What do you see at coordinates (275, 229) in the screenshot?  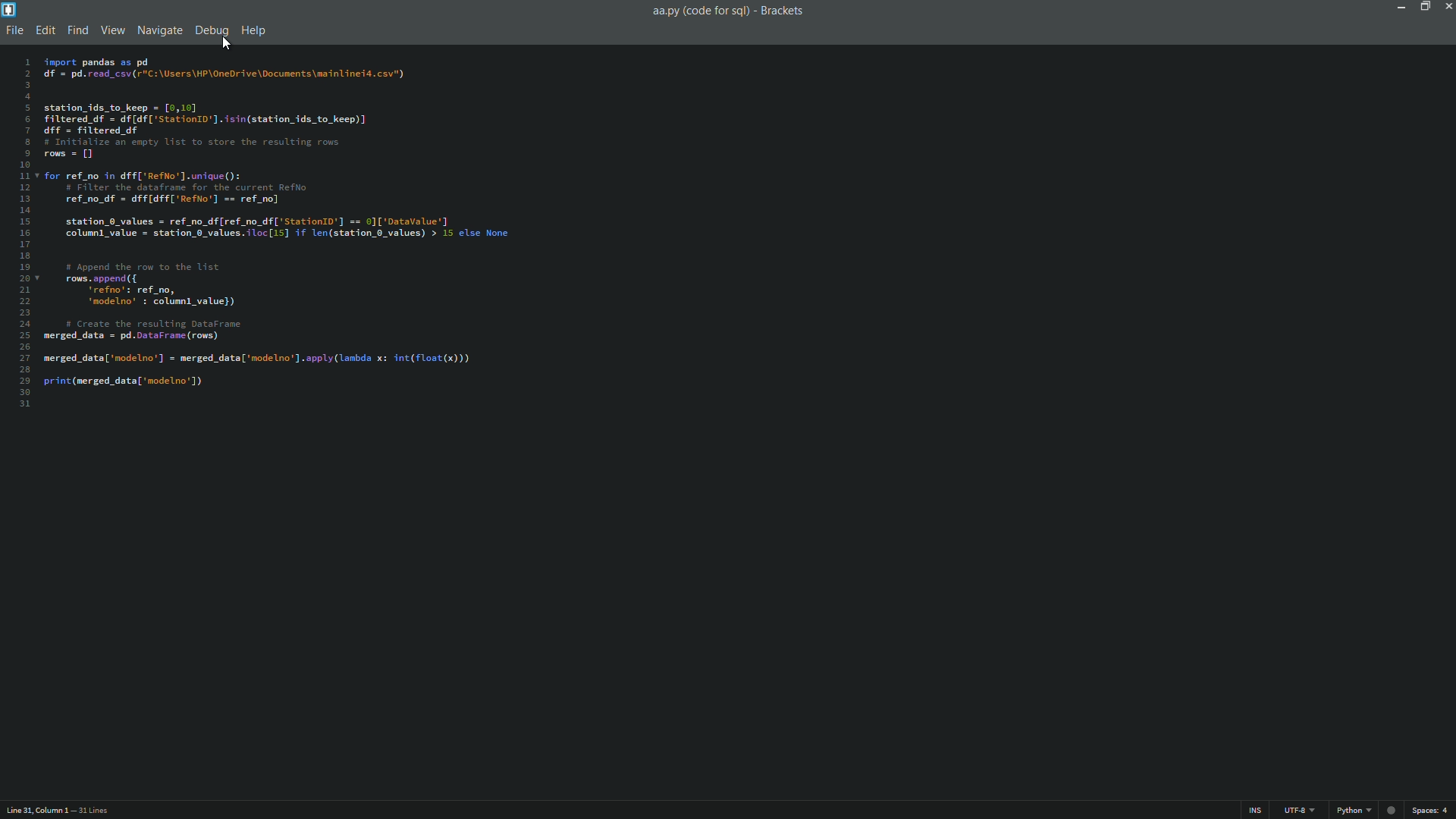 I see `code` at bounding box center [275, 229].